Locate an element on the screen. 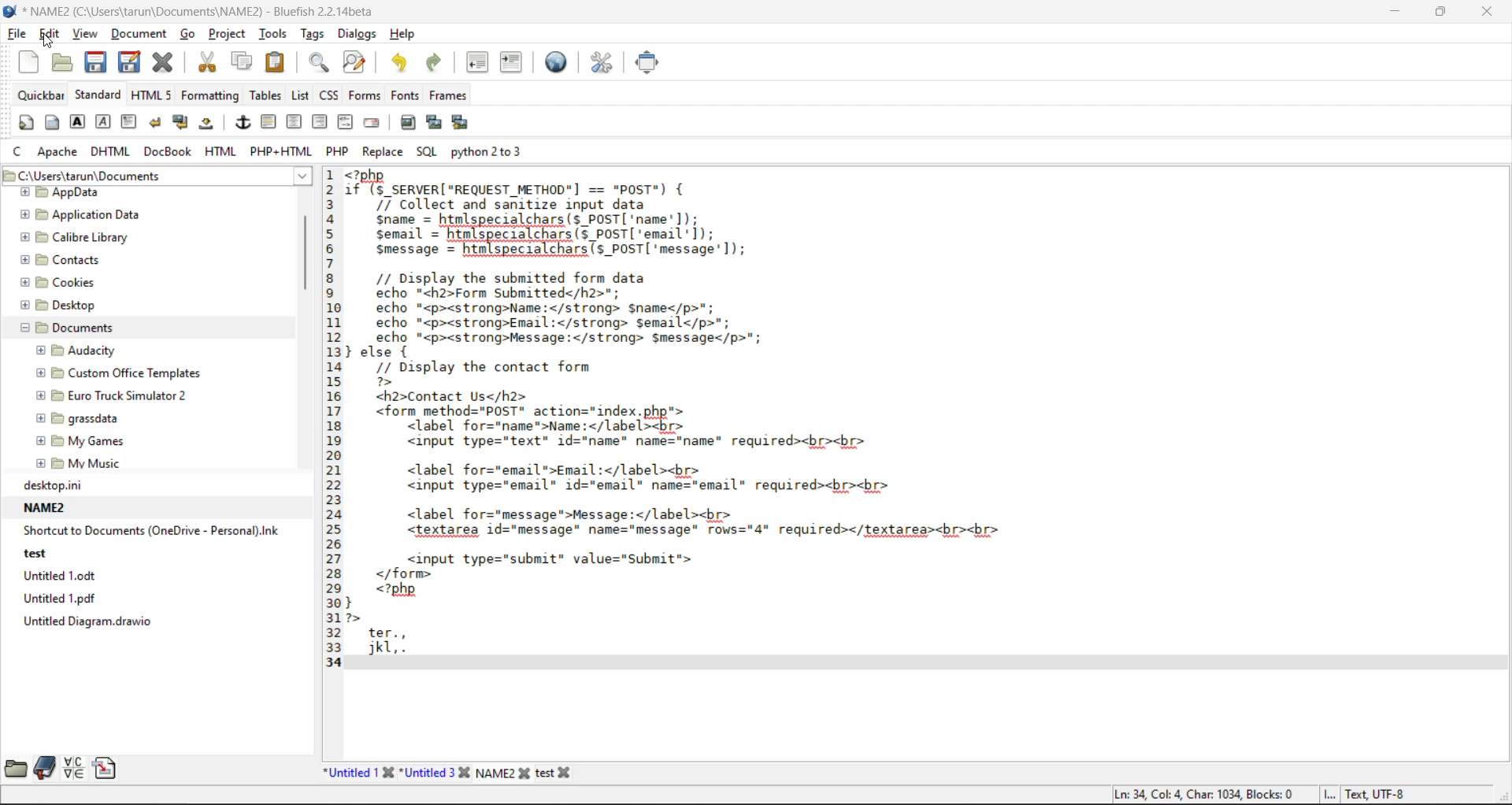  strong is located at coordinates (78, 121).